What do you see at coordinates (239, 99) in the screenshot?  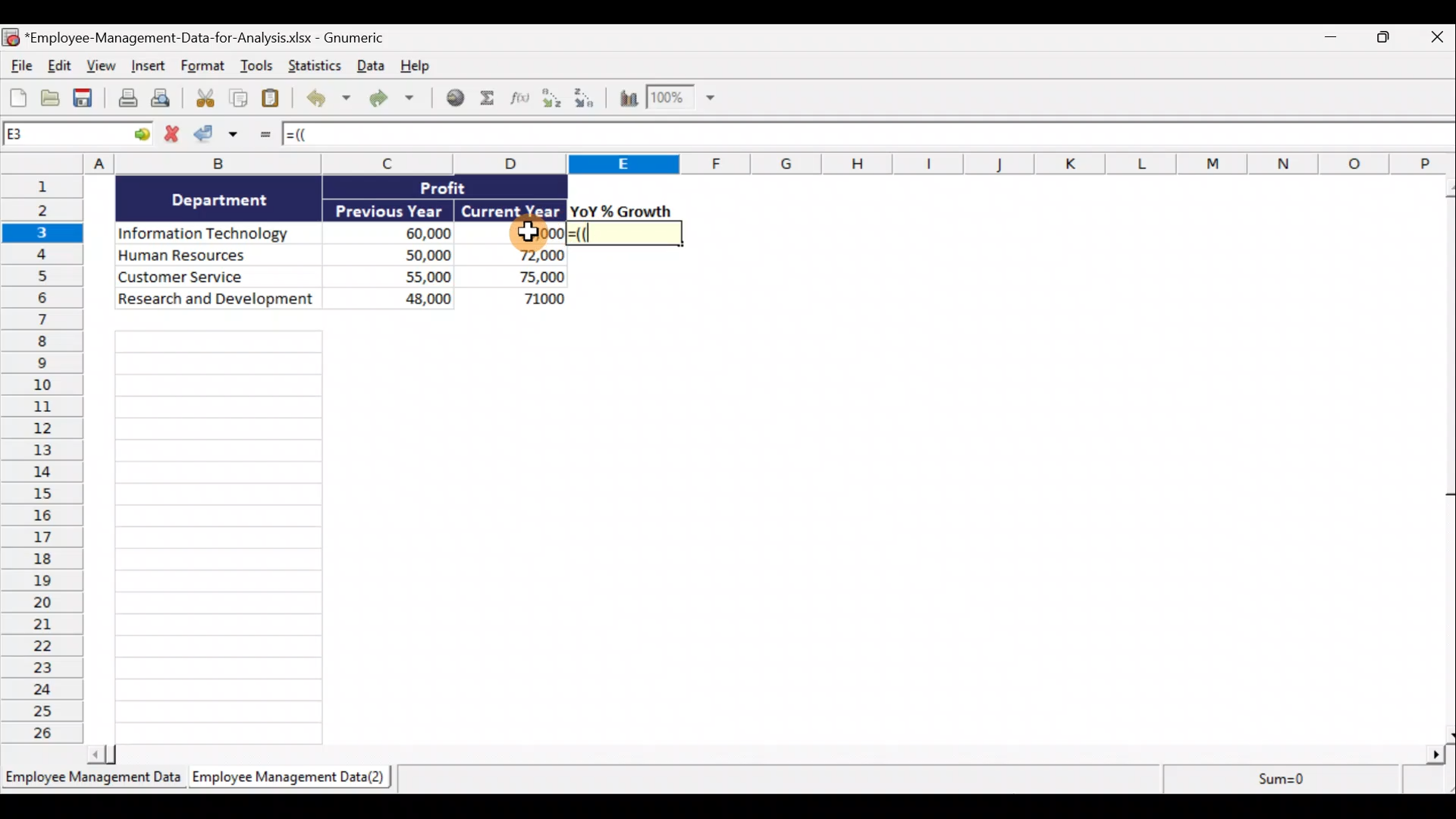 I see `Copy selection` at bounding box center [239, 99].